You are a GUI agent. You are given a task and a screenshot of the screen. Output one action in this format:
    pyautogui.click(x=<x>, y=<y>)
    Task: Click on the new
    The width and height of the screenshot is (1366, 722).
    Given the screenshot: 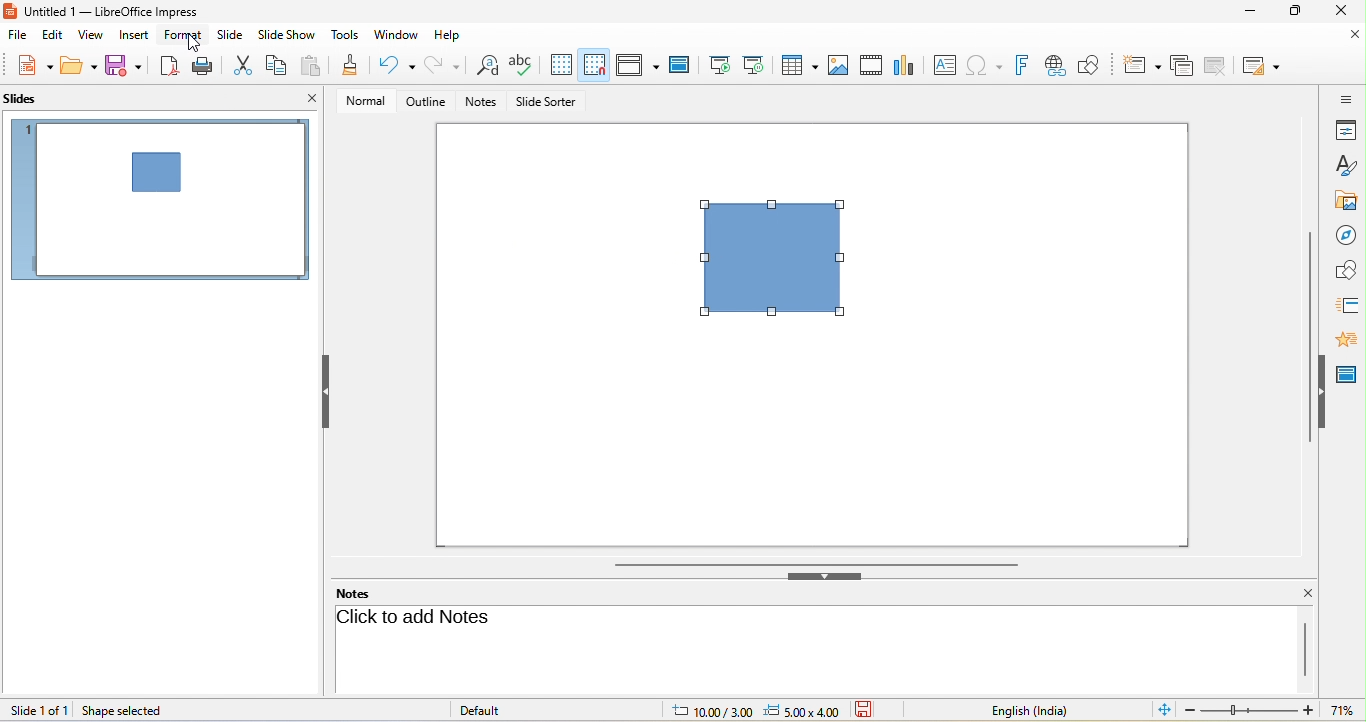 What is the action you would take?
    pyautogui.click(x=31, y=67)
    